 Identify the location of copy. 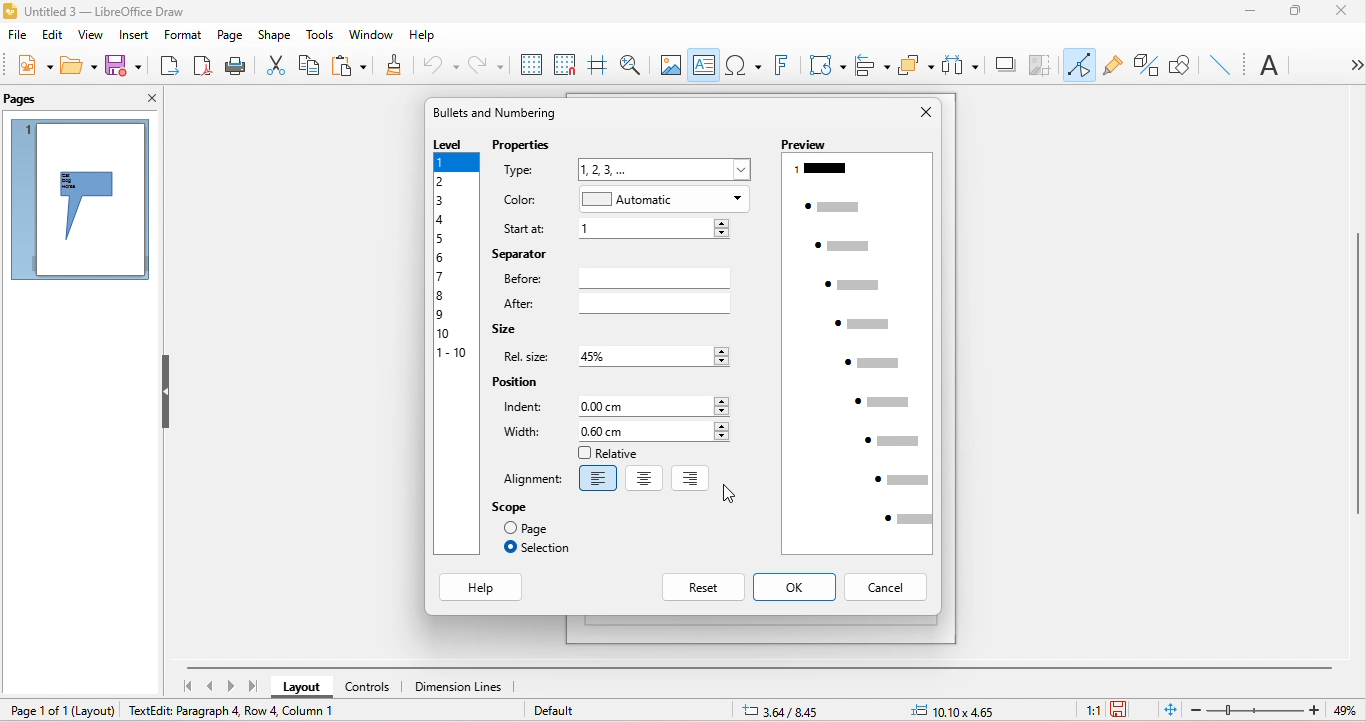
(310, 66).